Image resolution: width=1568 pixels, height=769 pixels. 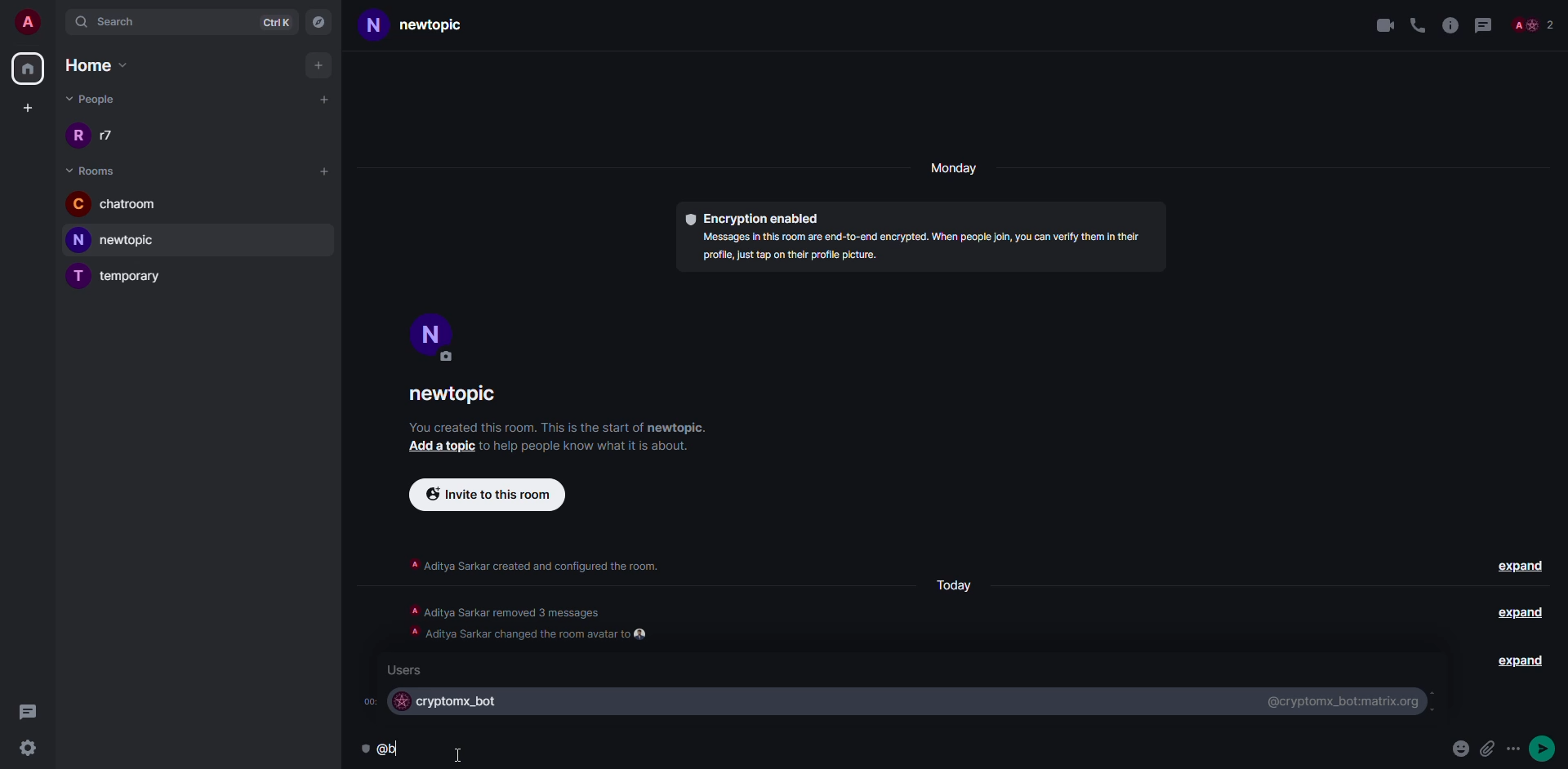 I want to click on add, so click(x=324, y=170).